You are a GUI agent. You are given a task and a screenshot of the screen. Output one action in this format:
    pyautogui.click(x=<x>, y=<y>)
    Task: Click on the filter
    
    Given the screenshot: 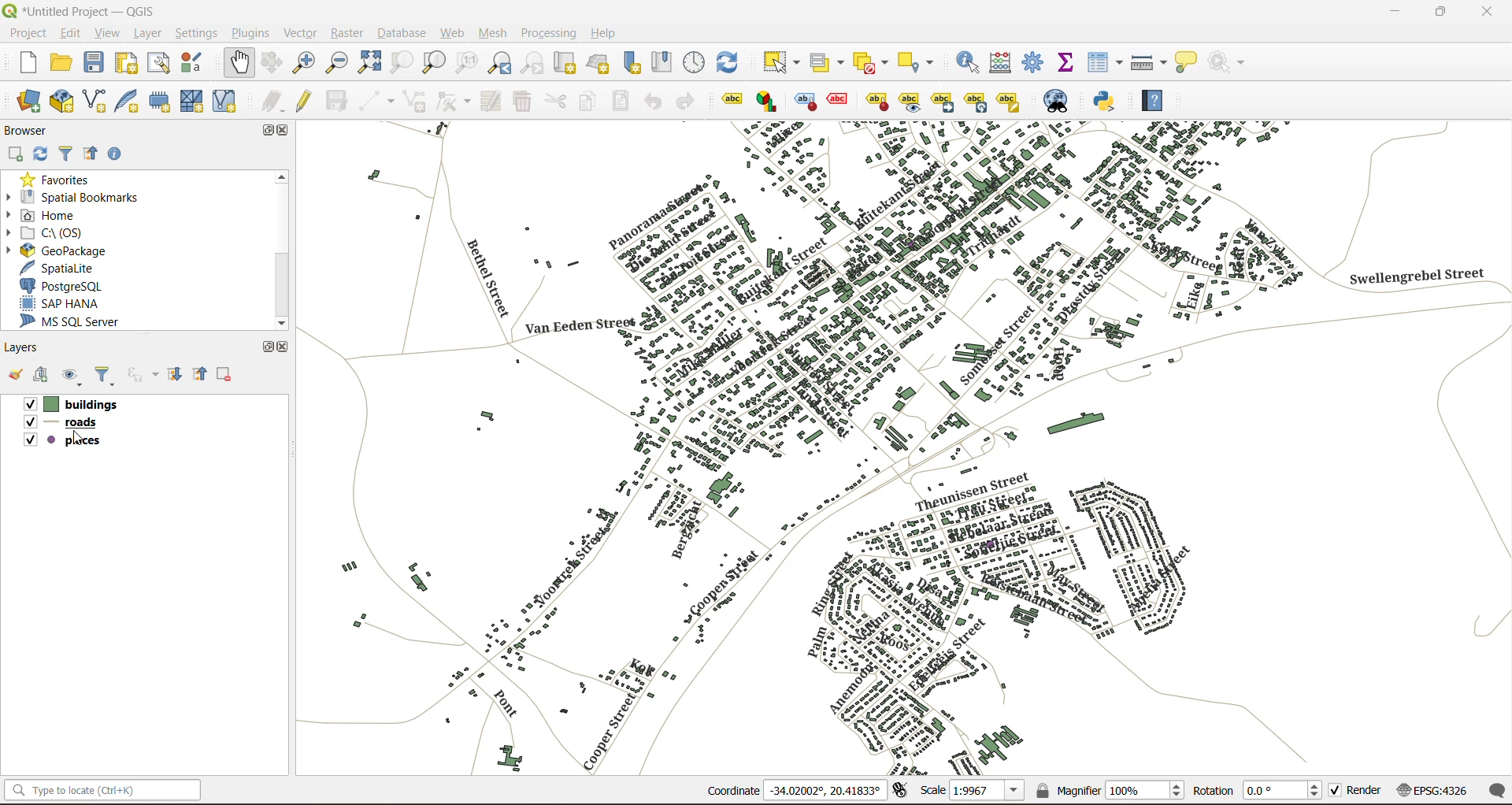 What is the action you would take?
    pyautogui.click(x=66, y=154)
    